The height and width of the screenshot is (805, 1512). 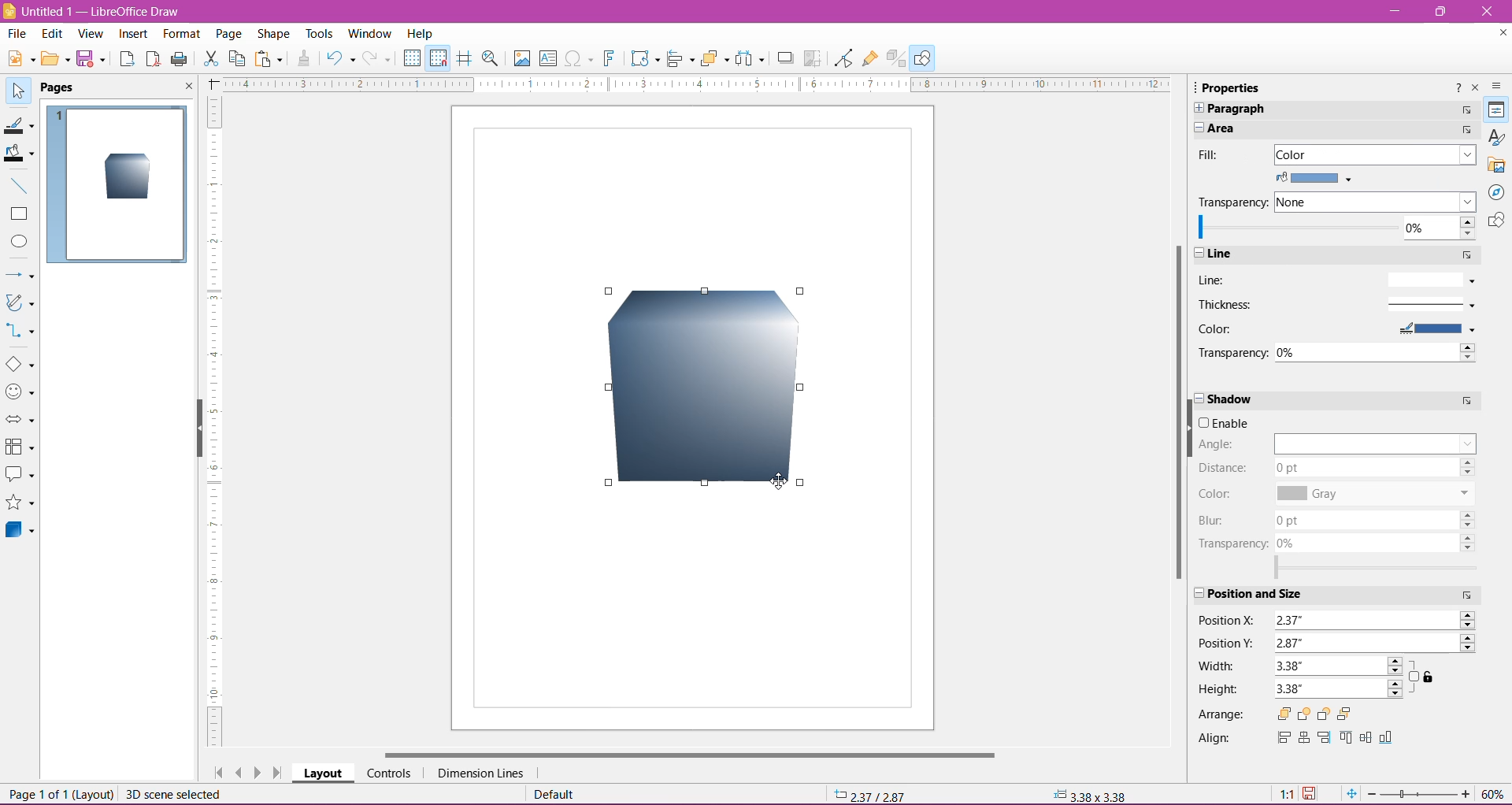 I want to click on Insert Special Characters, so click(x=579, y=58).